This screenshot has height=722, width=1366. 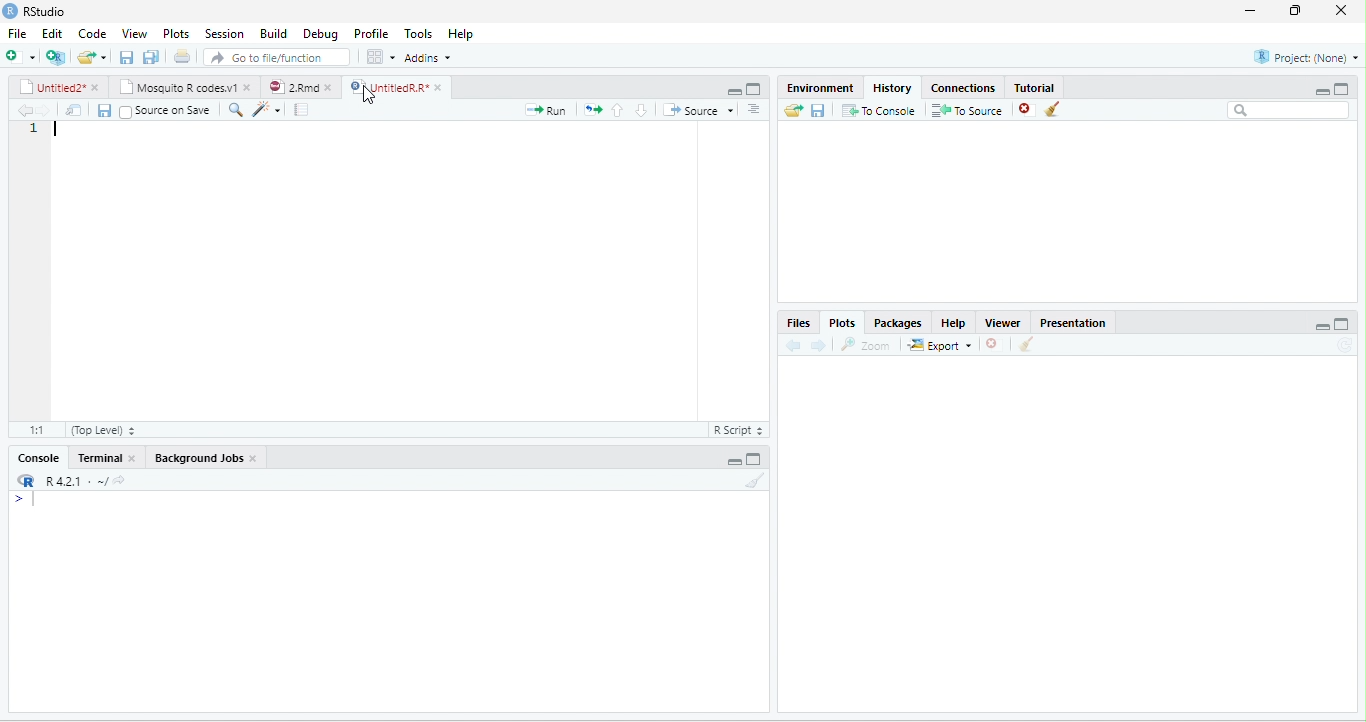 What do you see at coordinates (755, 459) in the screenshot?
I see `maximize` at bounding box center [755, 459].